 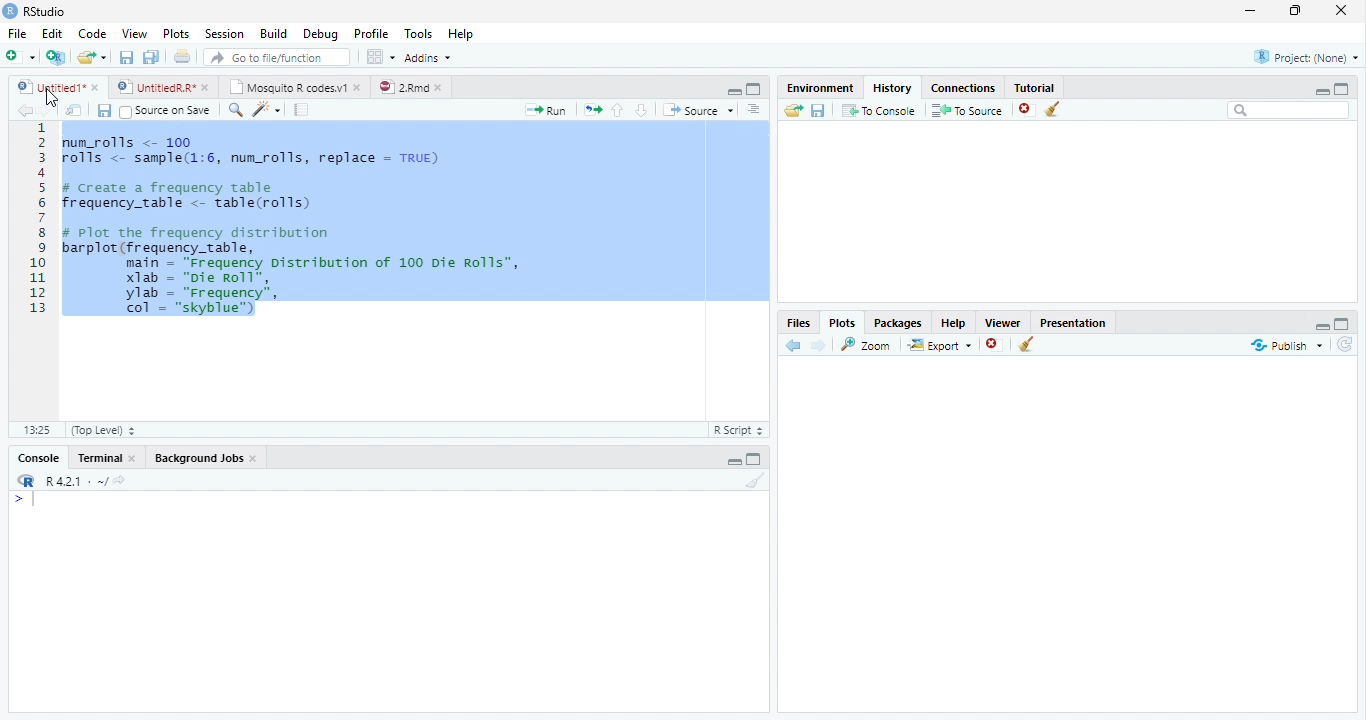 I want to click on Help, so click(x=954, y=322).